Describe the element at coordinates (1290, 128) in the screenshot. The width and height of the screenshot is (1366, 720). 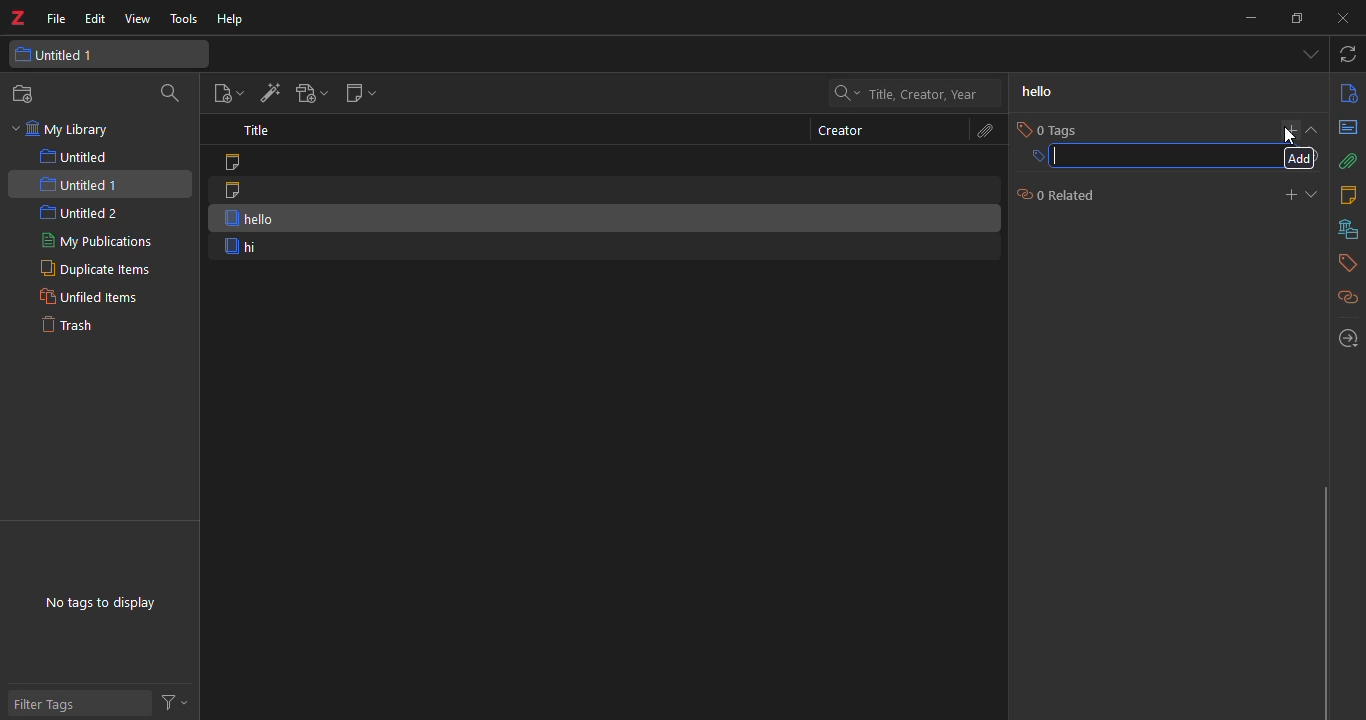
I see `add` at that location.